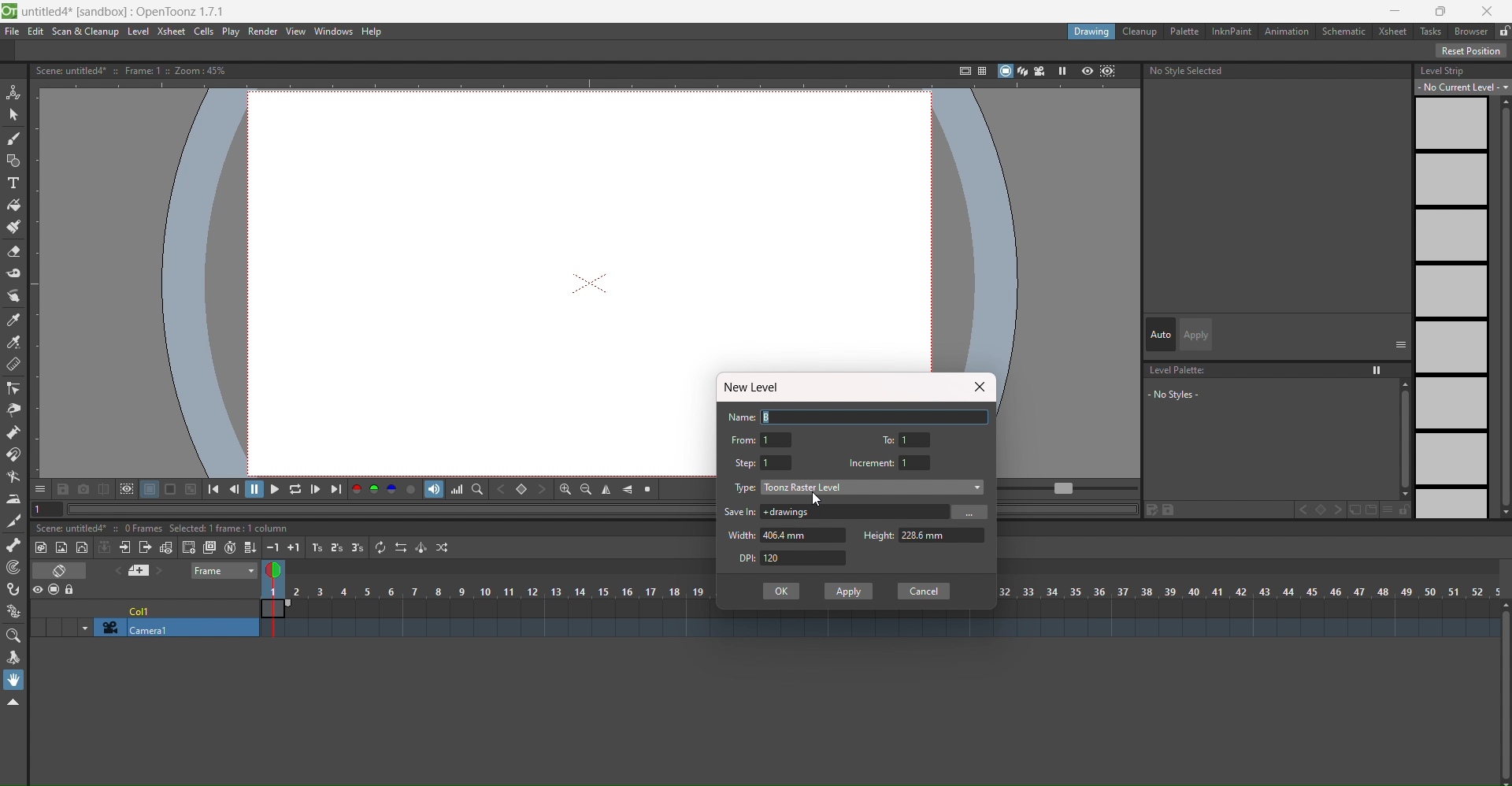  I want to click on view, so click(296, 32).